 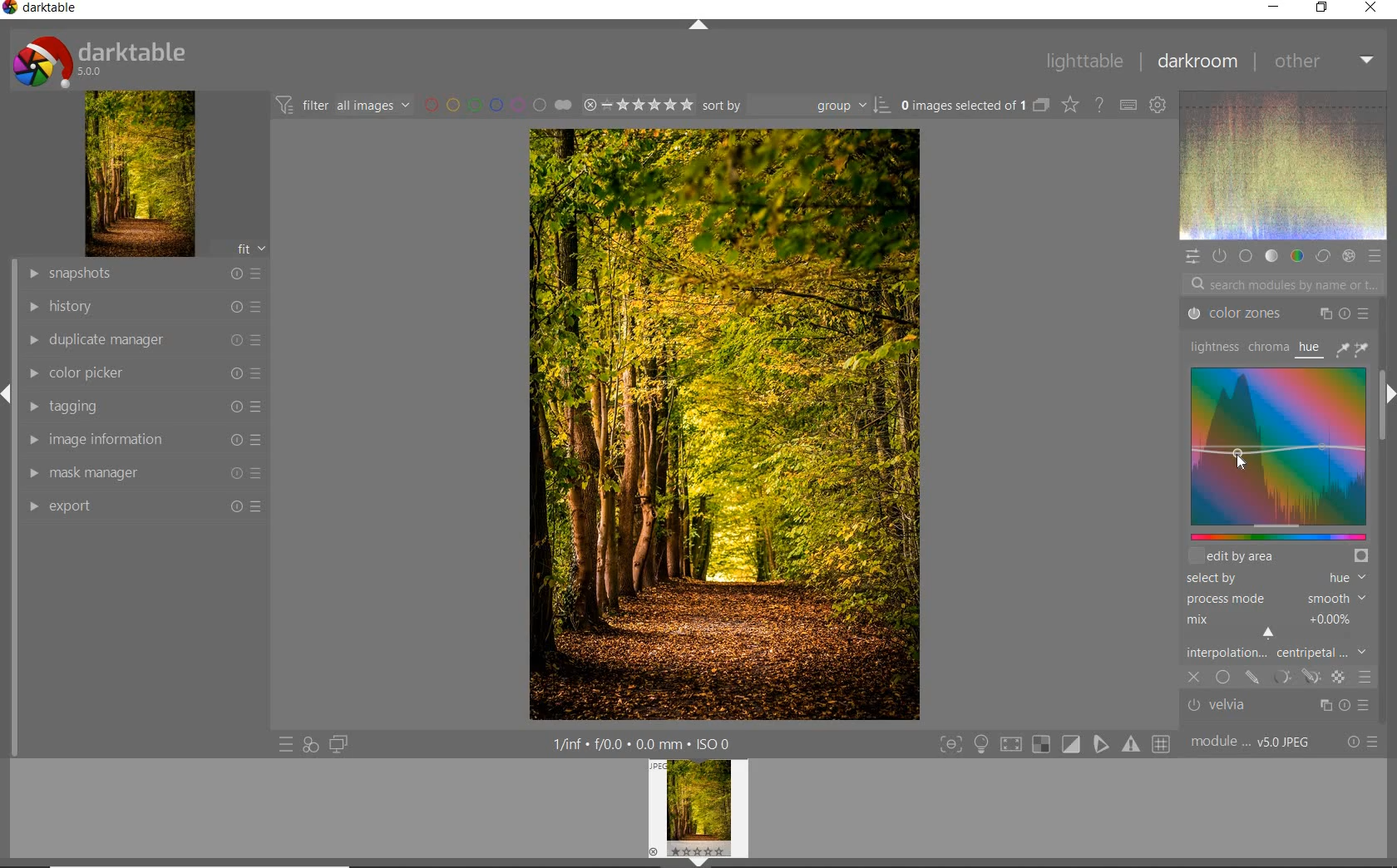 What do you see at coordinates (1098, 105) in the screenshot?
I see `ENABLE FOR ONLINE HELP` at bounding box center [1098, 105].